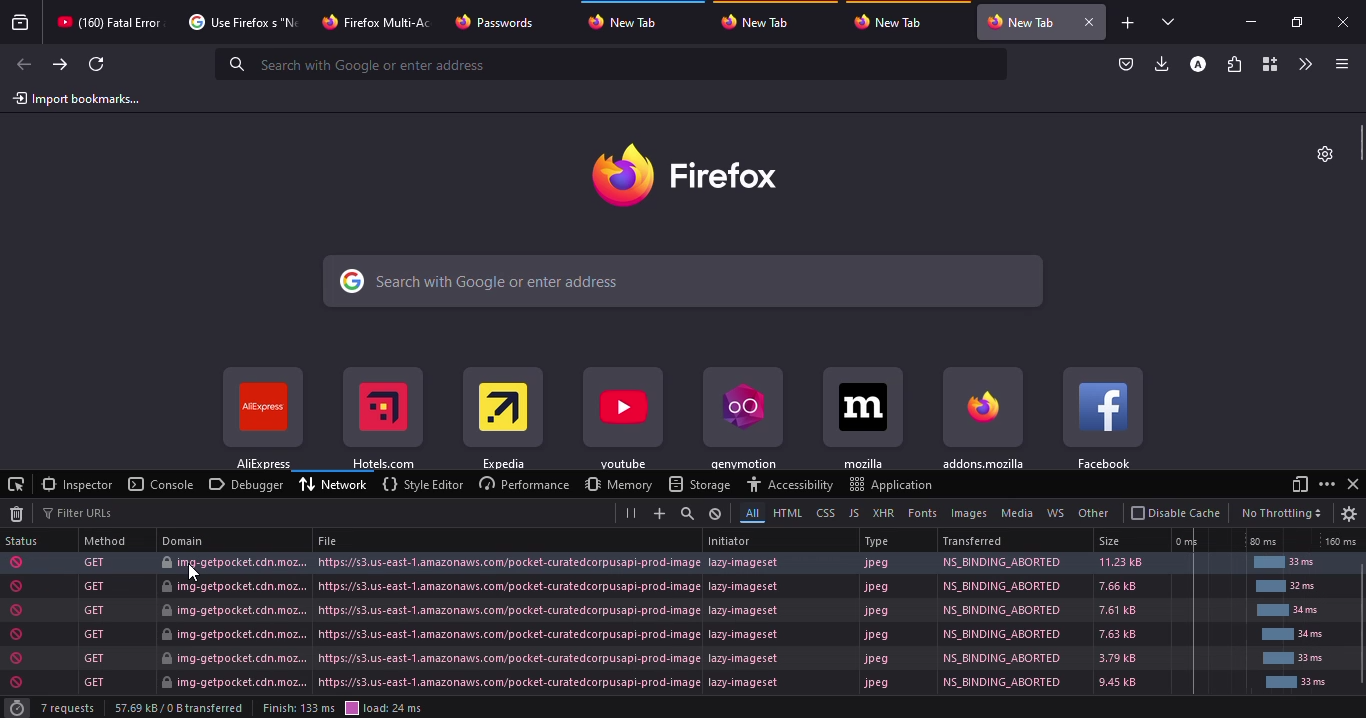 This screenshot has width=1366, height=718. What do you see at coordinates (1104, 417) in the screenshot?
I see `shortcuts` at bounding box center [1104, 417].